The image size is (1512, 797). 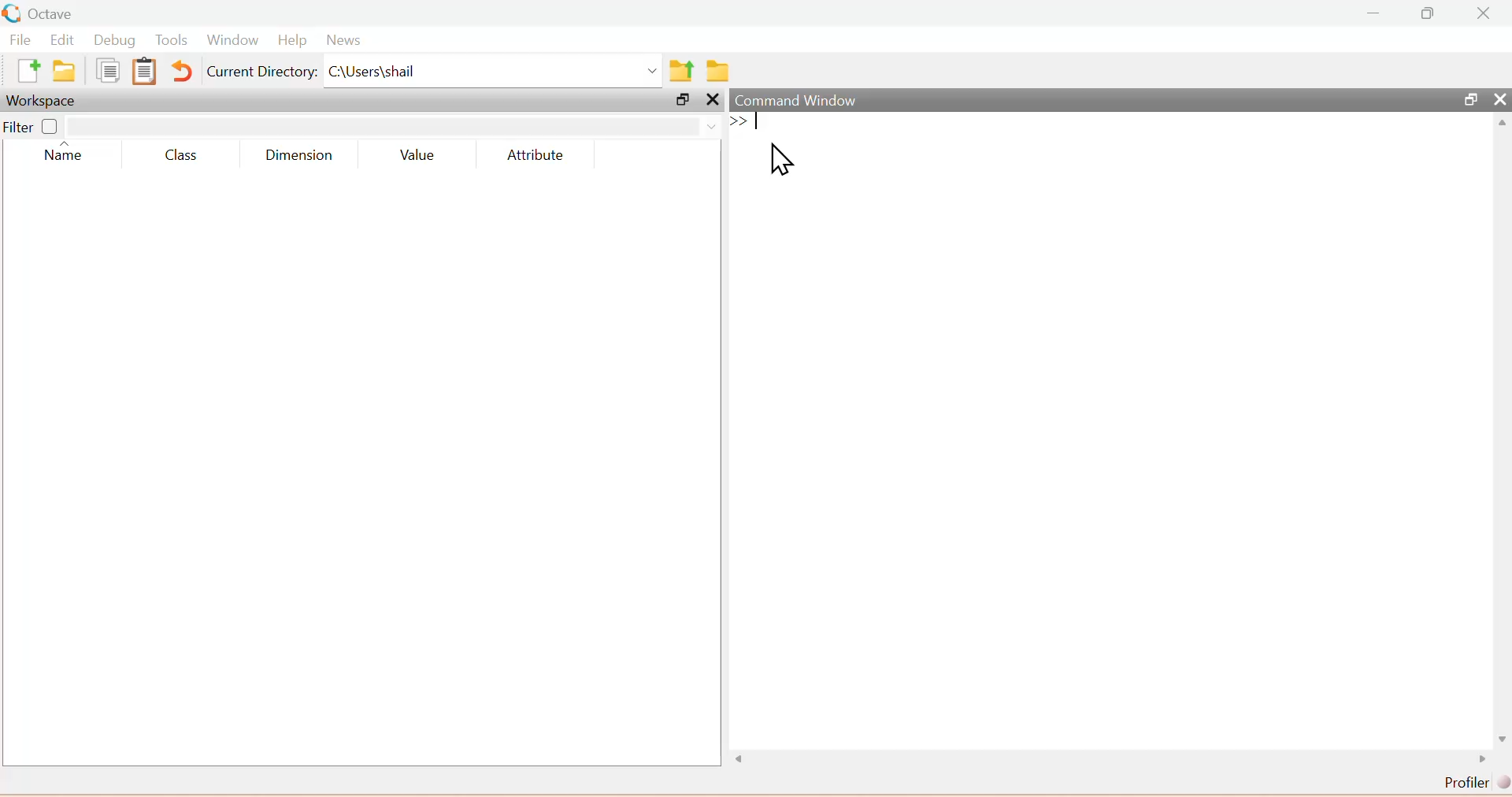 I want to click on logo, so click(x=13, y=13).